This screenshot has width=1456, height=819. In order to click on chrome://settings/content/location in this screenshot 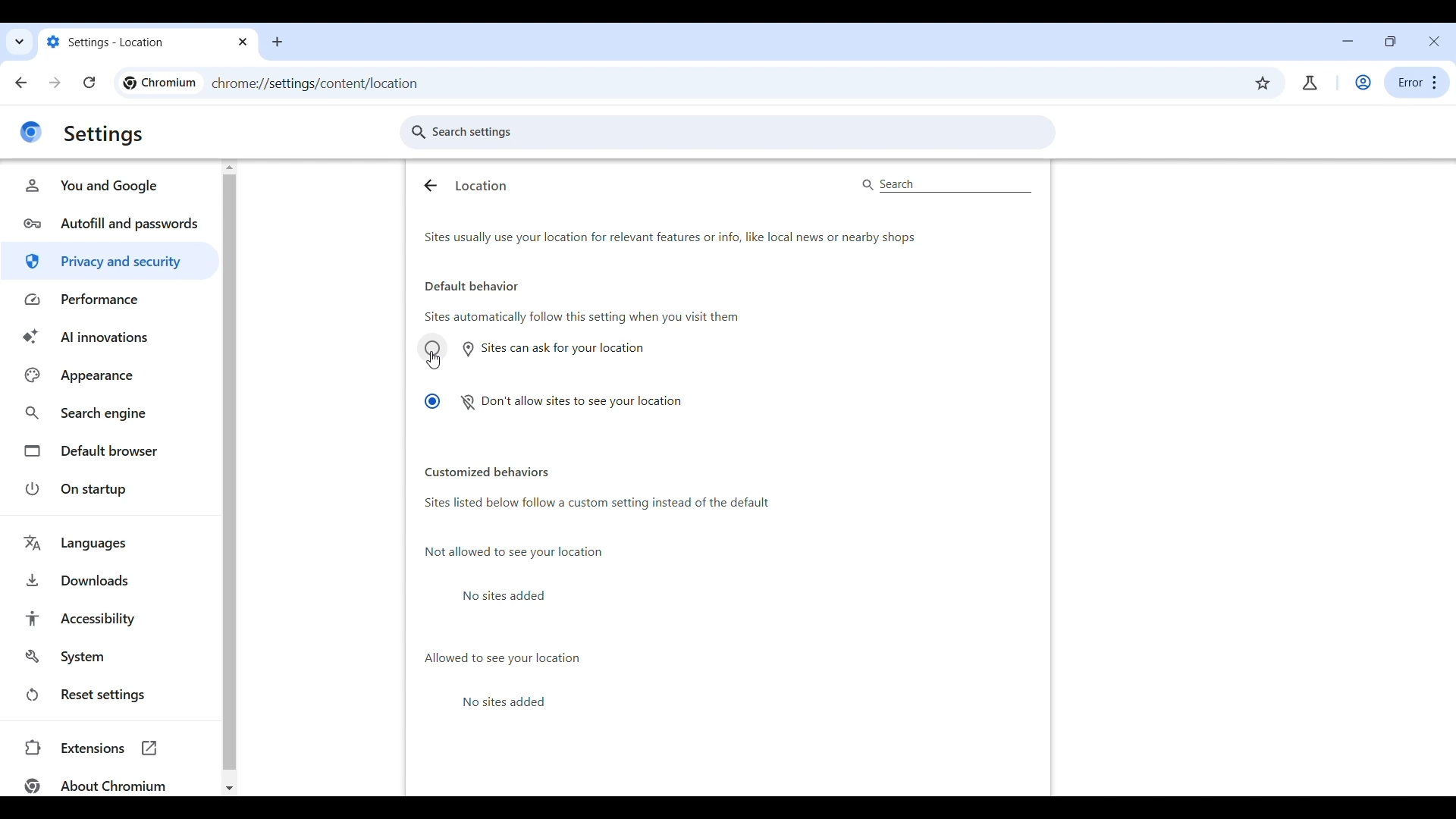, I will do `click(332, 84)`.